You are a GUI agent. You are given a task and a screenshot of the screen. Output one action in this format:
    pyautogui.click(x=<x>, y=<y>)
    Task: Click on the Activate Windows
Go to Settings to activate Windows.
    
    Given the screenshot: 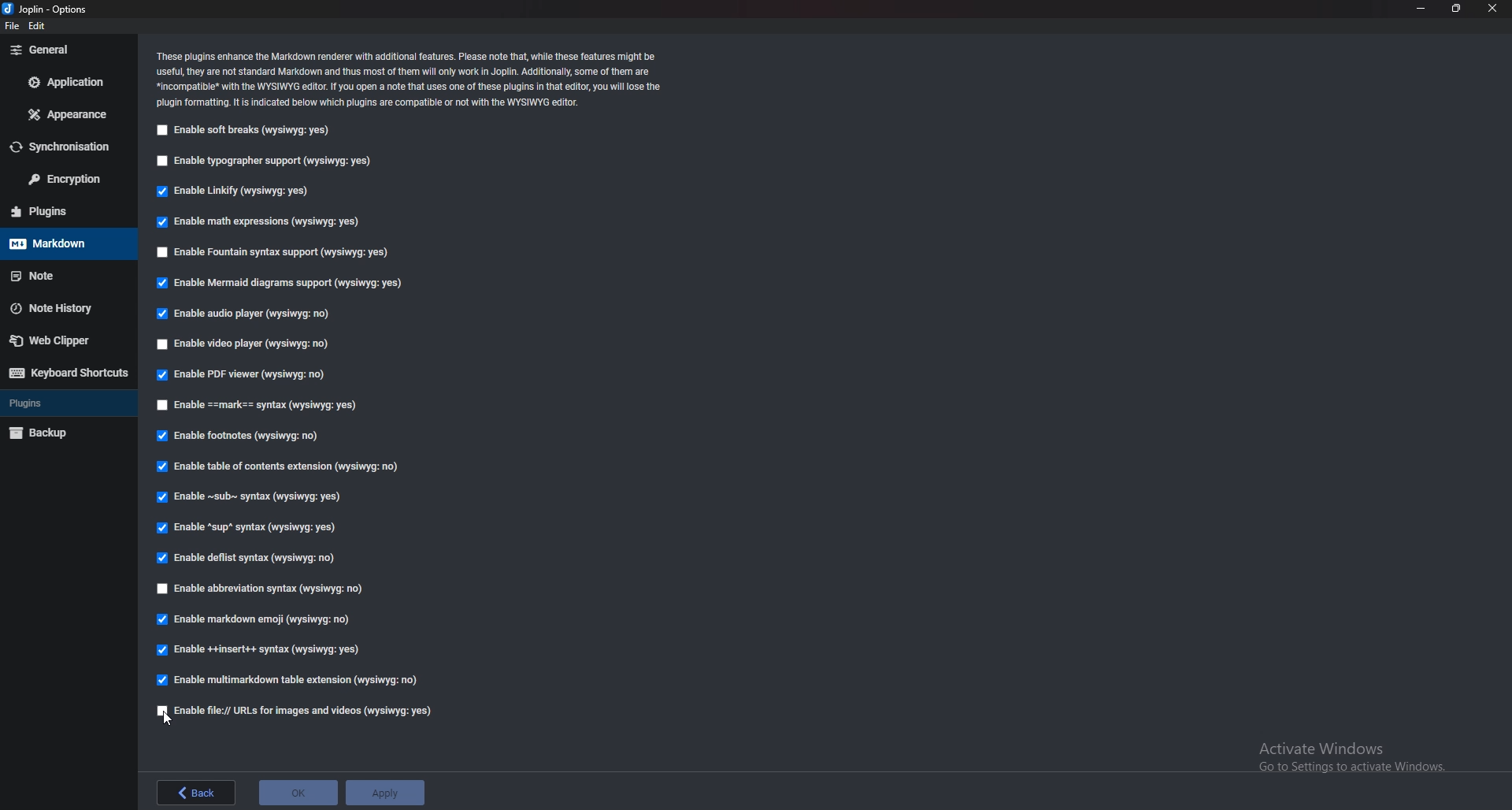 What is the action you would take?
    pyautogui.click(x=1343, y=754)
    